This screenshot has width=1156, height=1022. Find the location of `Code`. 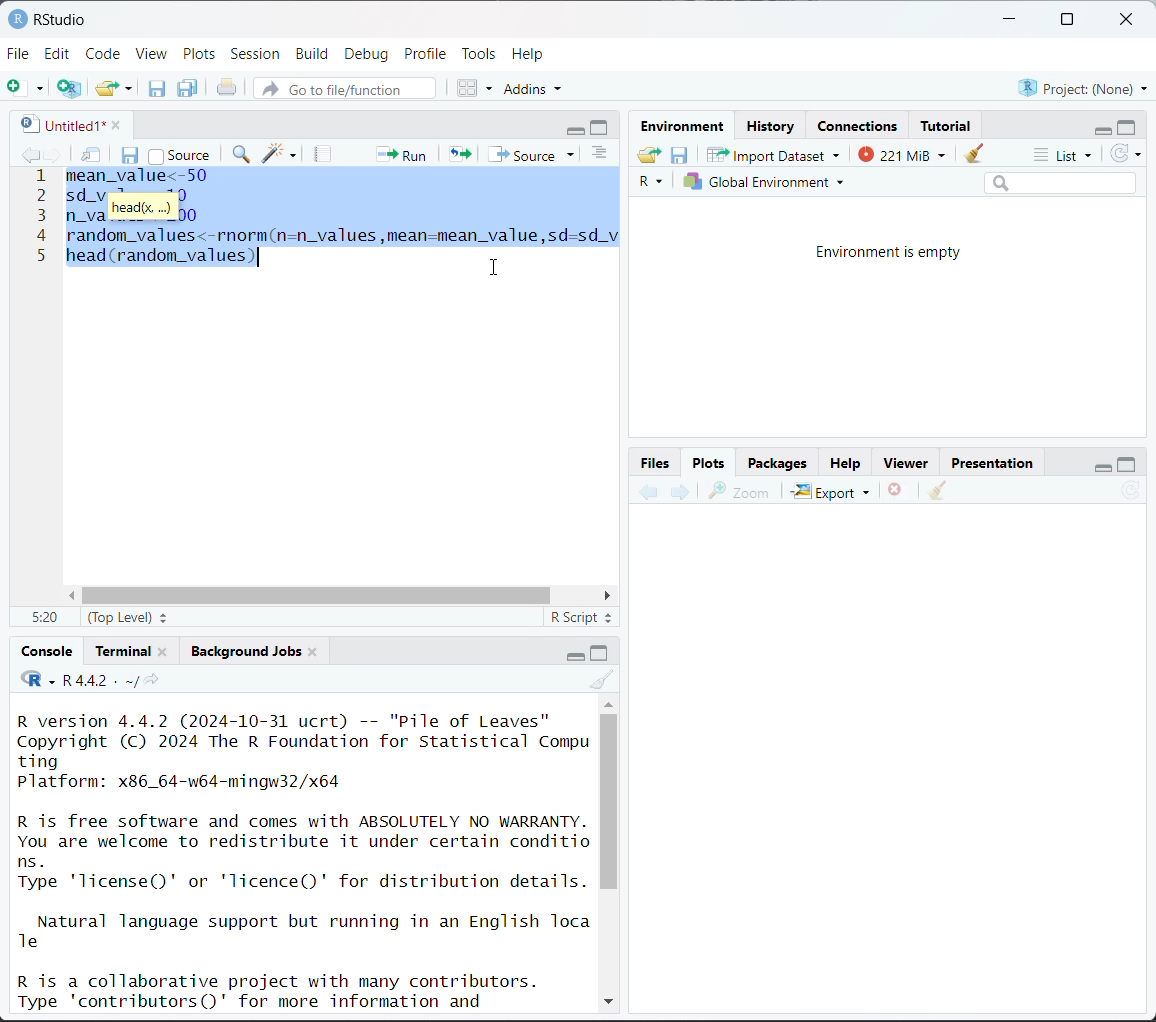

Code is located at coordinates (105, 52).